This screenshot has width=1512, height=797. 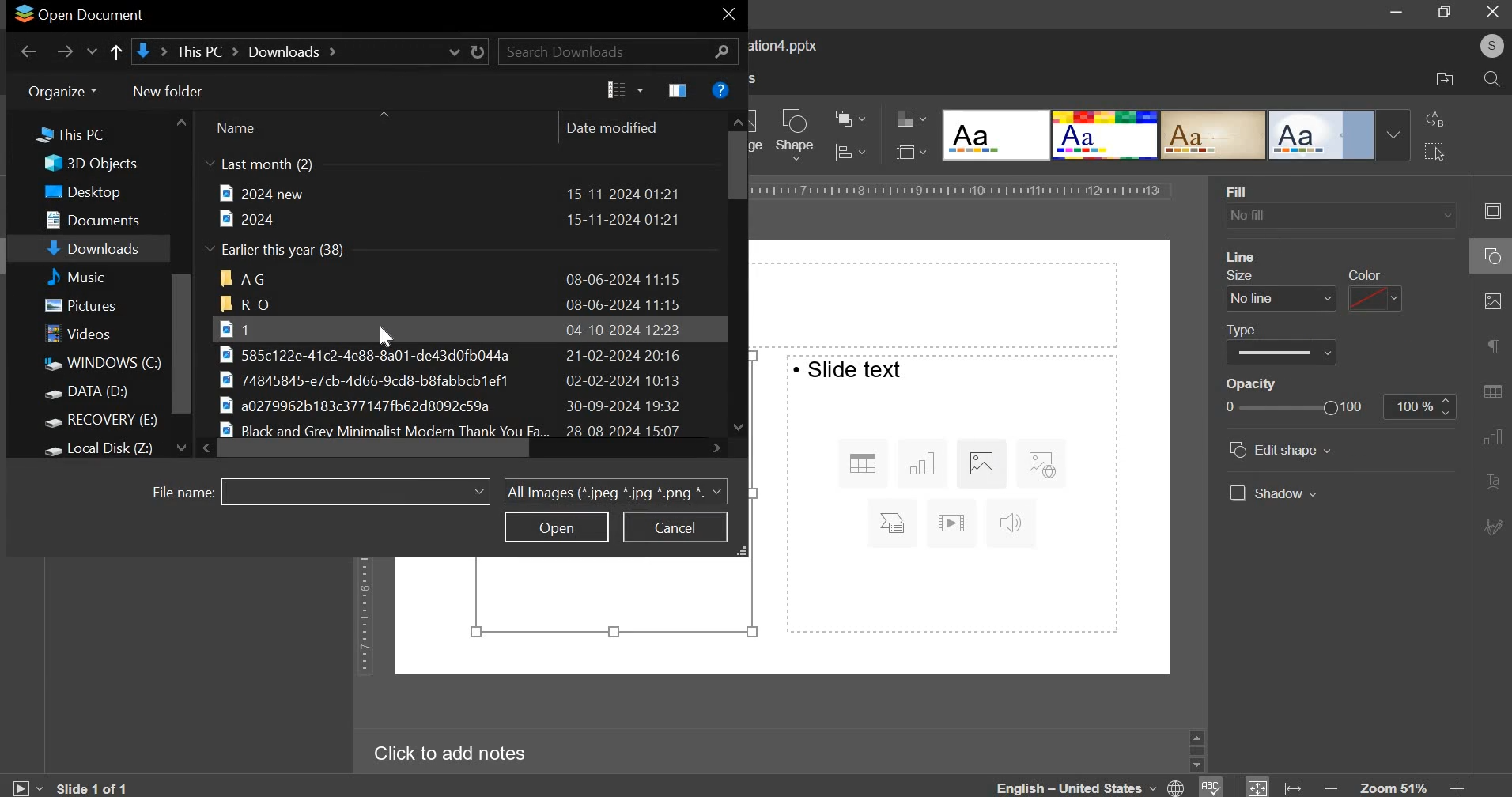 I want to click on documents, so click(x=100, y=217).